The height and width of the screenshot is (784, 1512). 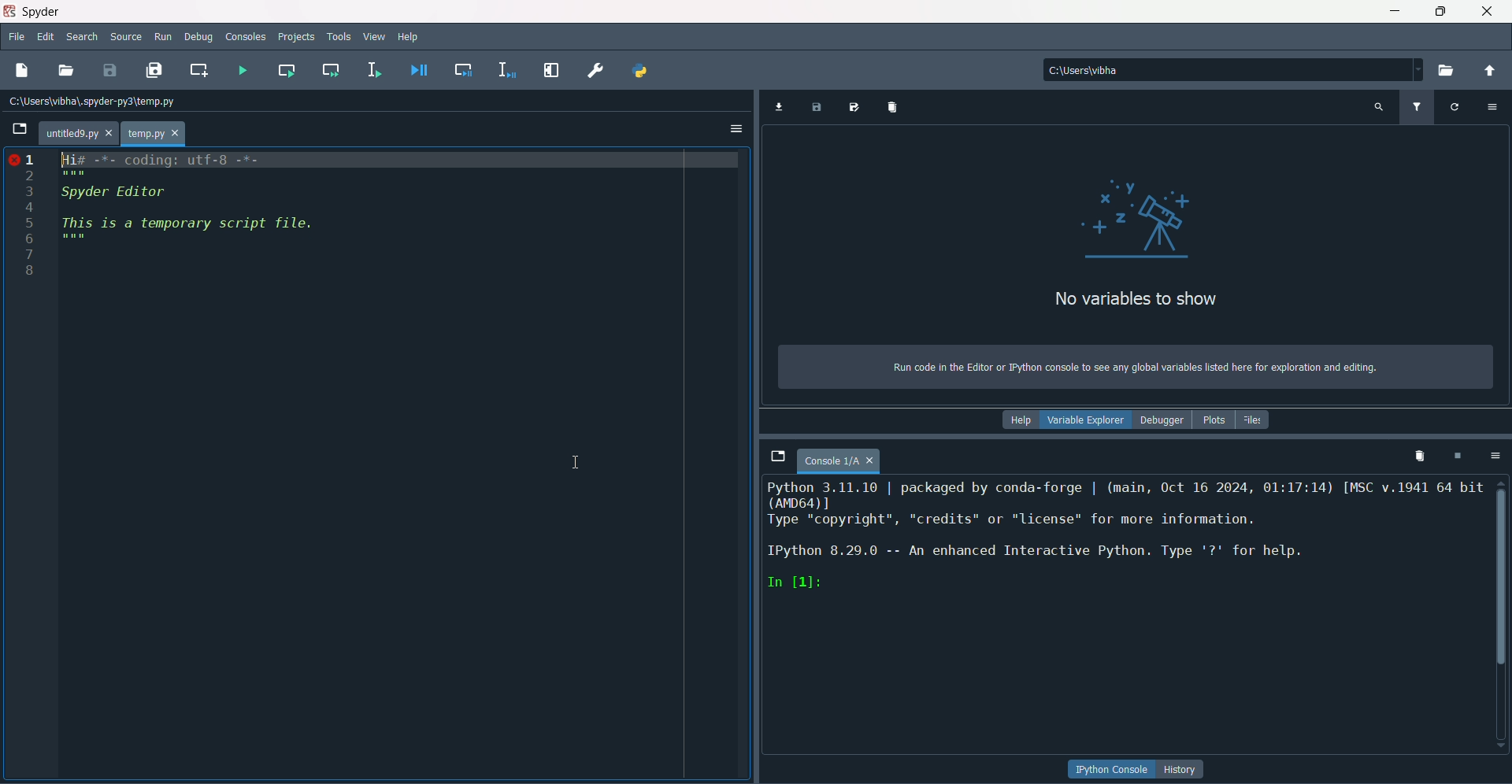 I want to click on Open file, so click(x=19, y=131).